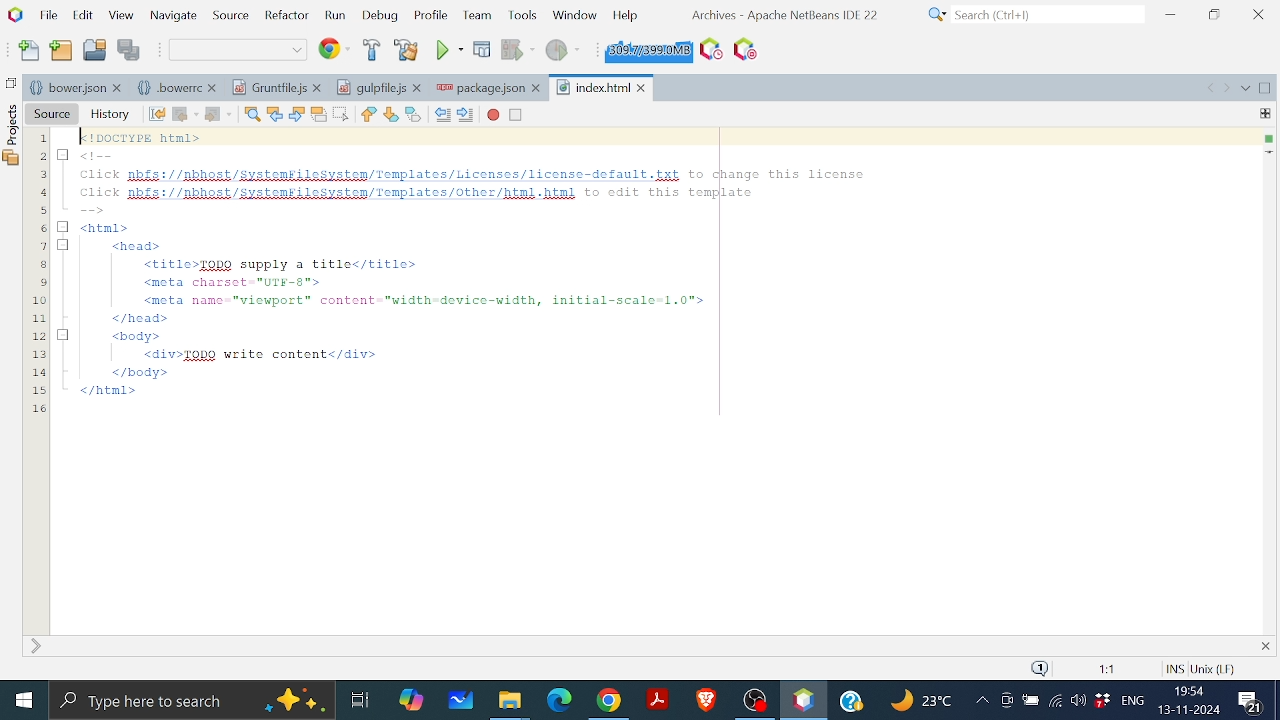  Describe the element at coordinates (1006, 703) in the screenshot. I see `Meet now` at that location.